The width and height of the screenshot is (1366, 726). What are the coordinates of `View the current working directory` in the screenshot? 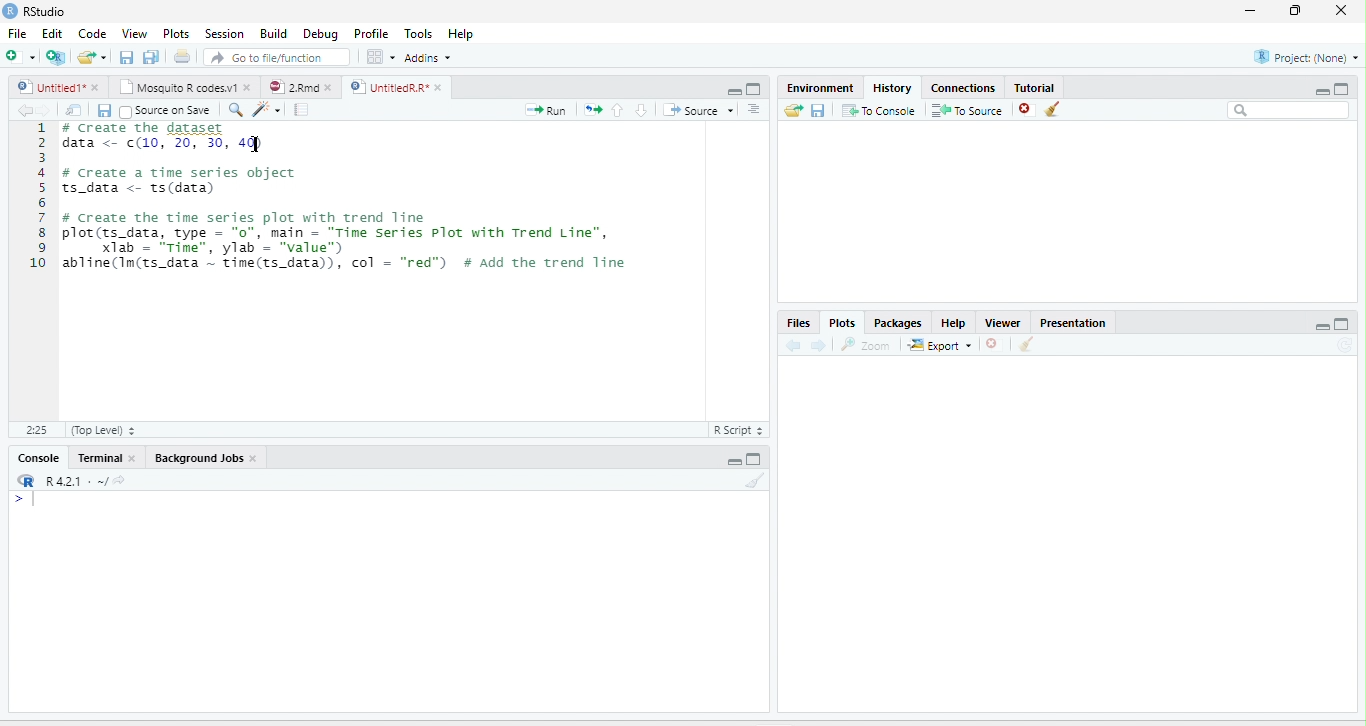 It's located at (120, 479).